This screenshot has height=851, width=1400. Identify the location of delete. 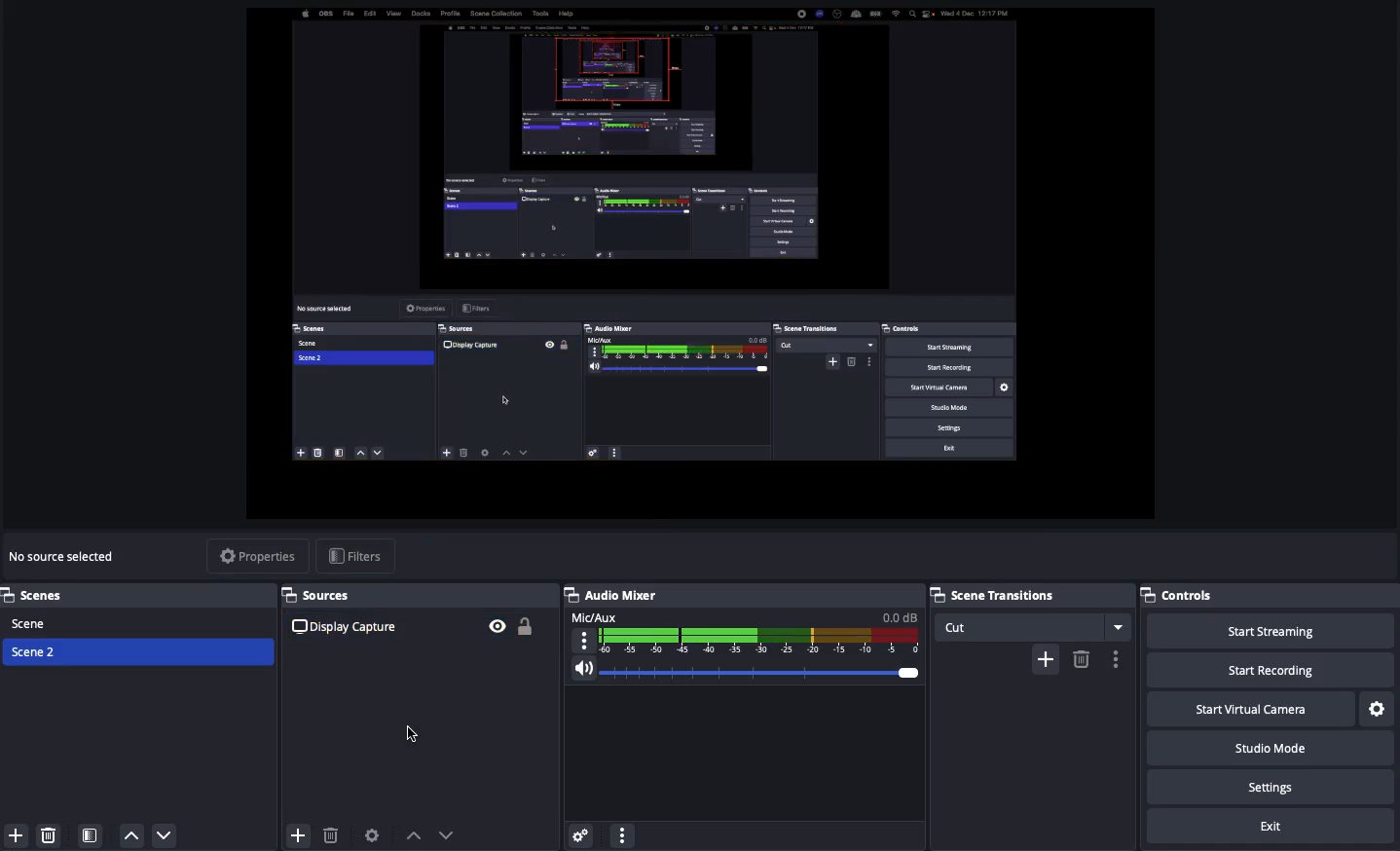
(331, 839).